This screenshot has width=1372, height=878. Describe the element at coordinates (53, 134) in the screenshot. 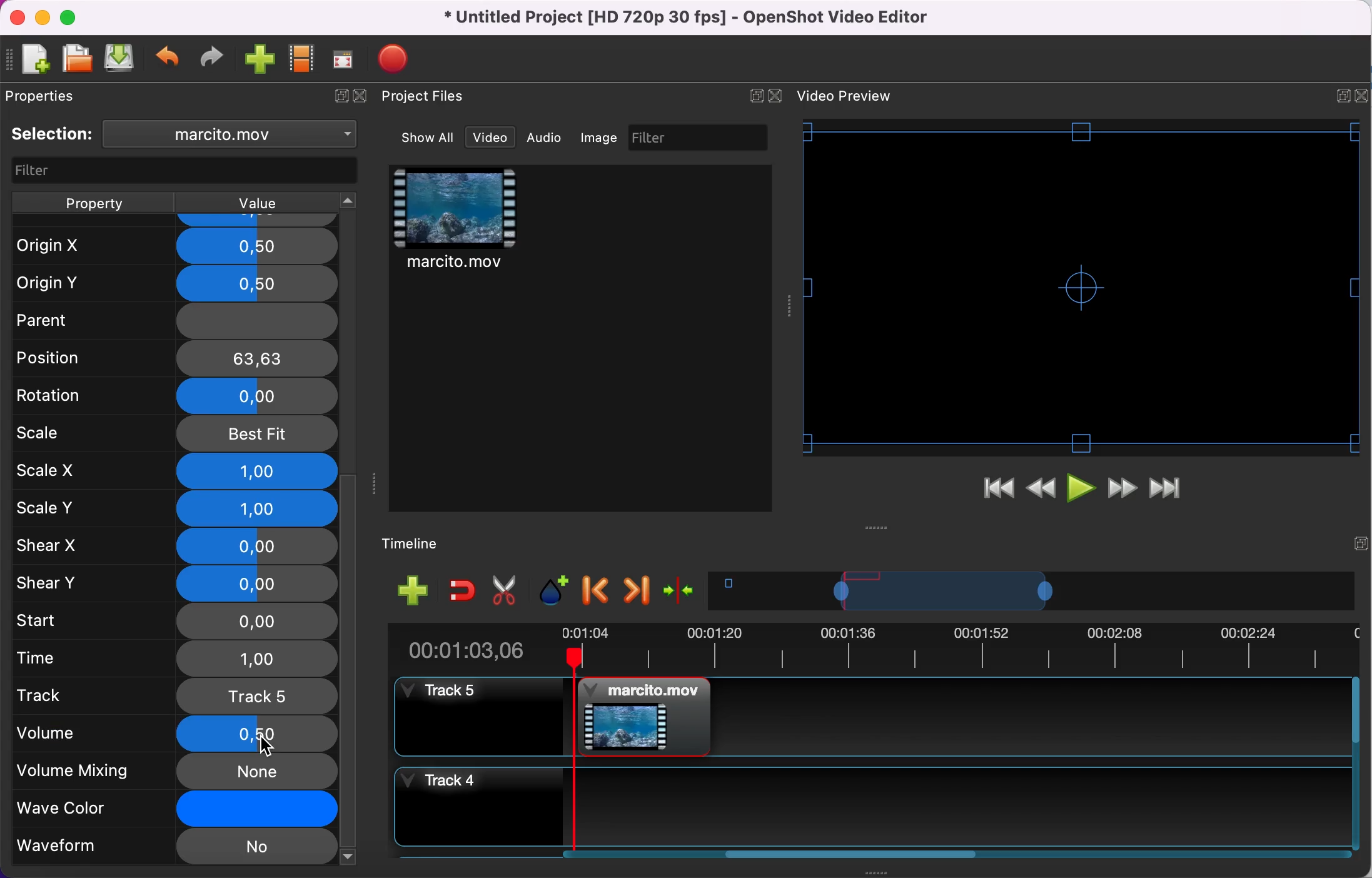

I see `selection` at that location.